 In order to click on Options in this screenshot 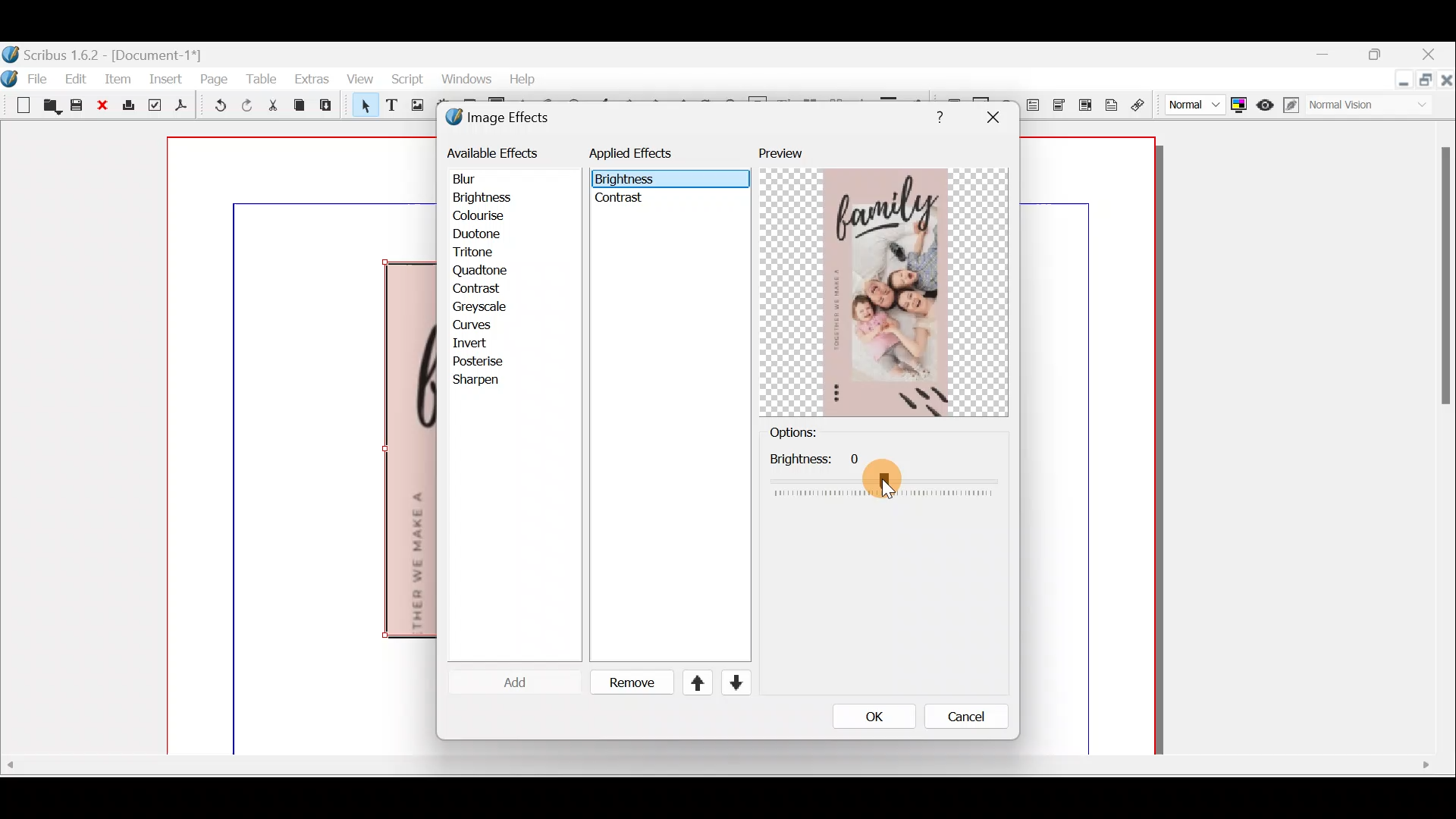, I will do `click(818, 433)`.